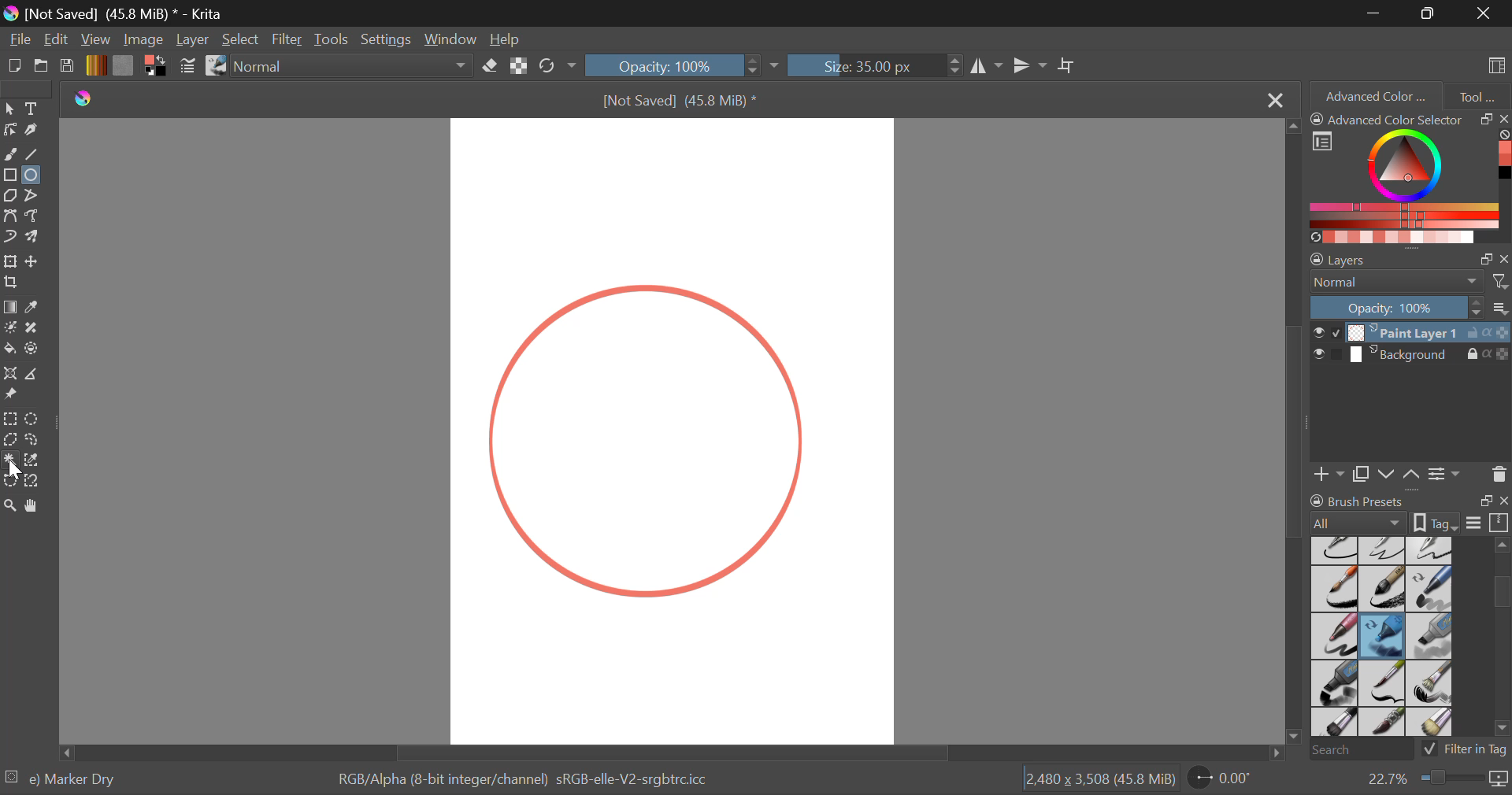 This screenshot has width=1512, height=795. Describe the element at coordinates (9, 418) in the screenshot. I see `Rectangle Selection Tool` at that location.